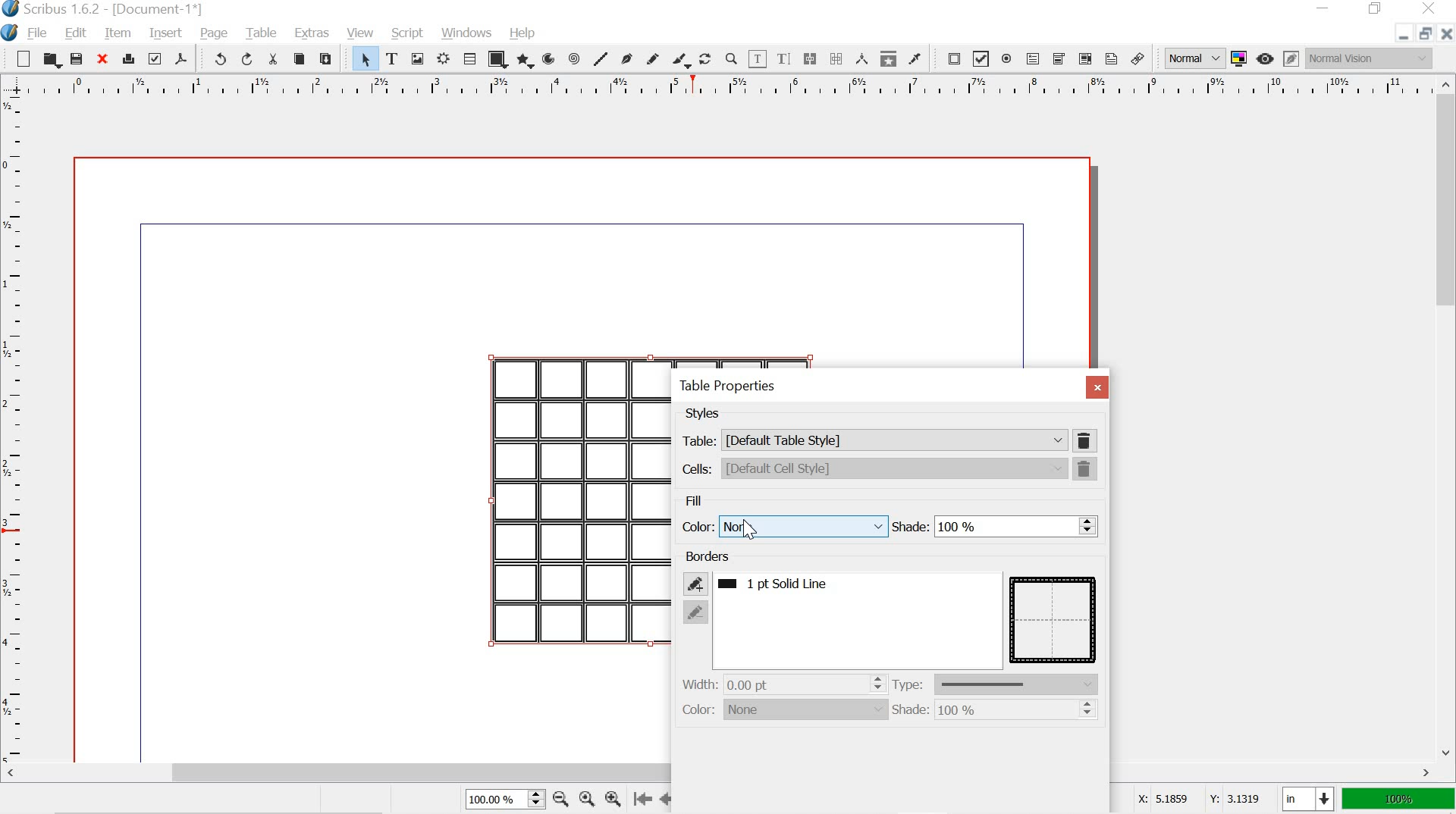 The width and height of the screenshot is (1456, 814). Describe the element at coordinates (154, 58) in the screenshot. I see `preflight verifier` at that location.